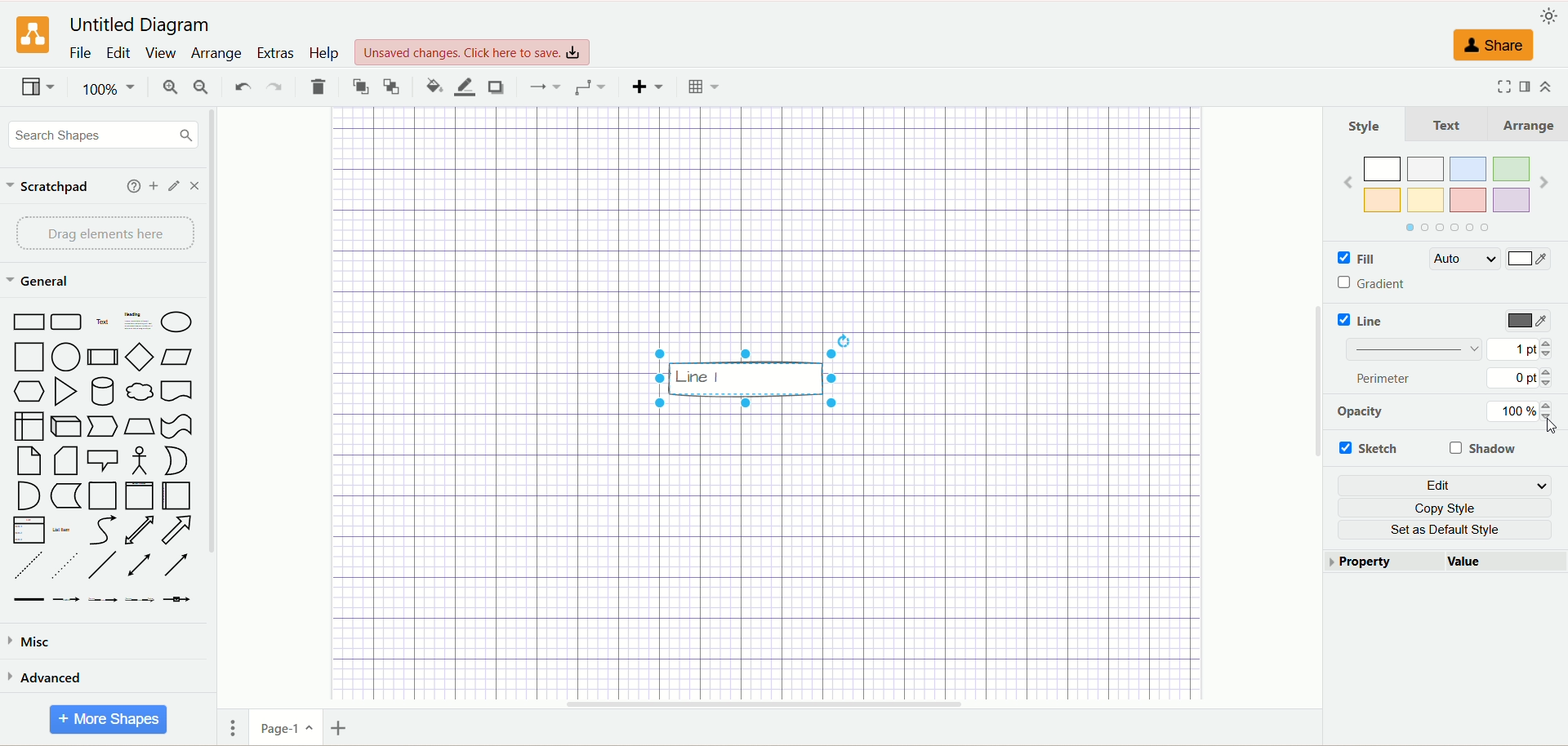  I want to click on copy style, so click(1445, 507).